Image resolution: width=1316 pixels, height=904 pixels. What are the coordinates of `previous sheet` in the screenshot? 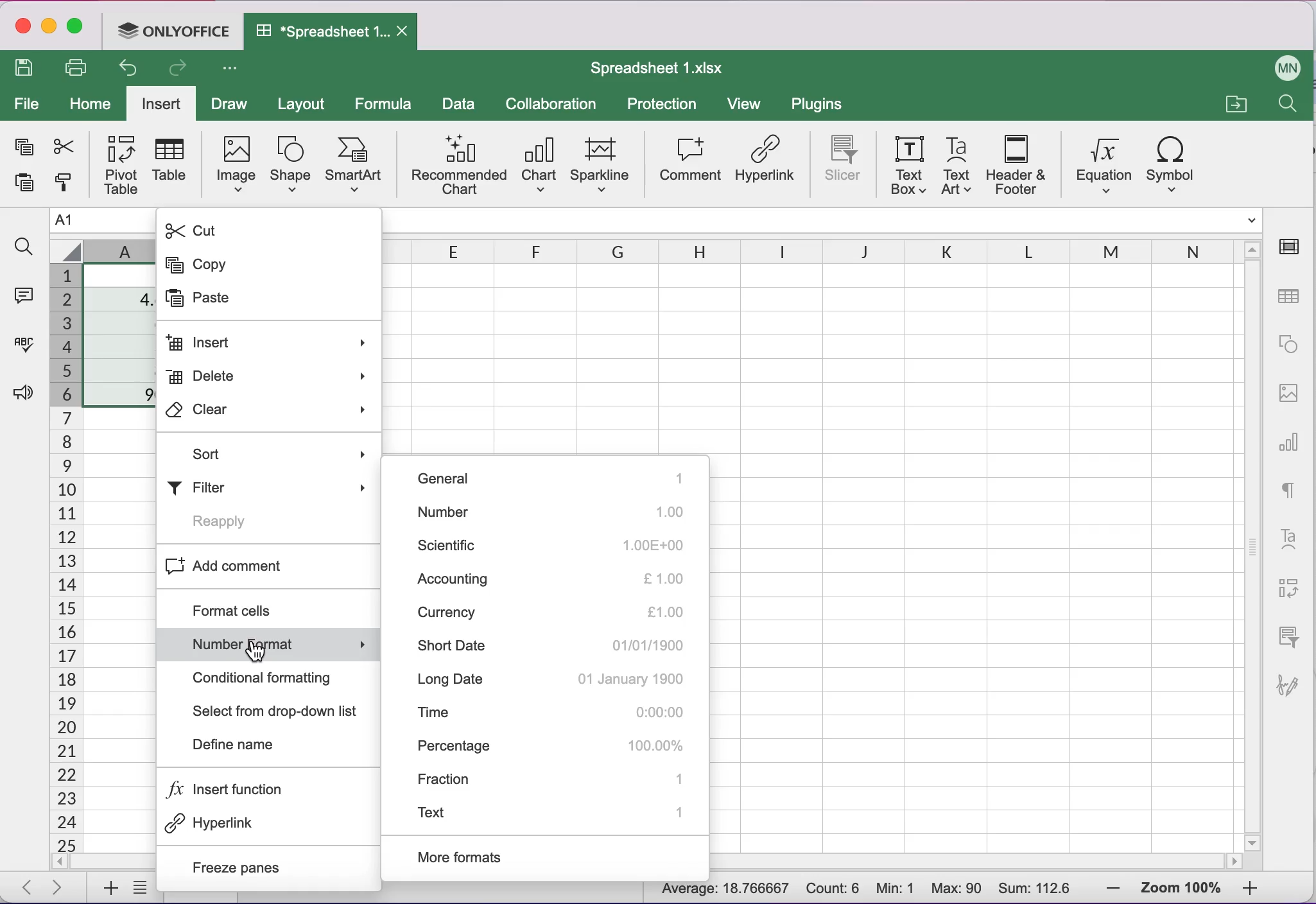 It's located at (30, 889).